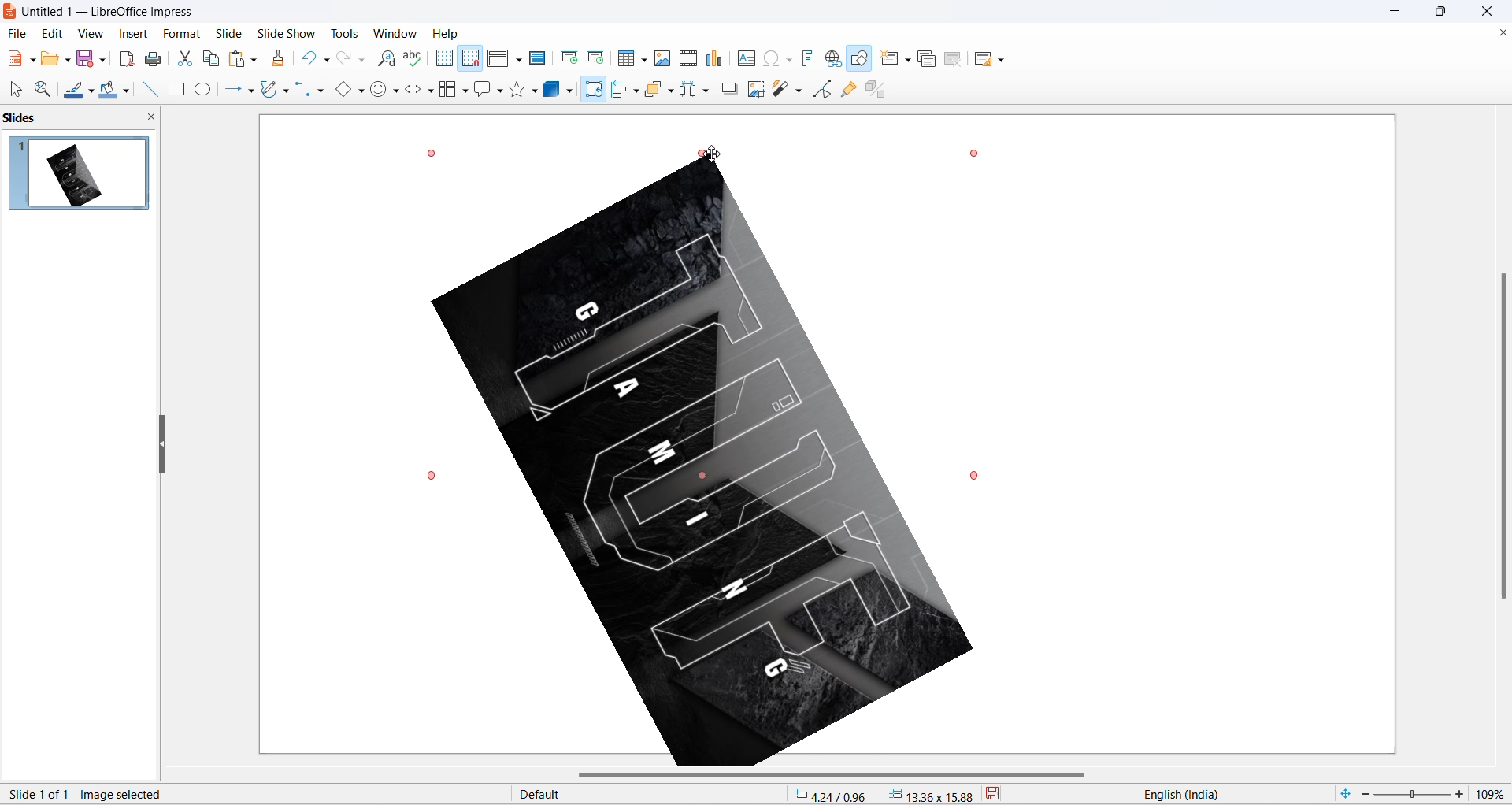 The width and height of the screenshot is (1512, 805). I want to click on spelling, so click(413, 59).